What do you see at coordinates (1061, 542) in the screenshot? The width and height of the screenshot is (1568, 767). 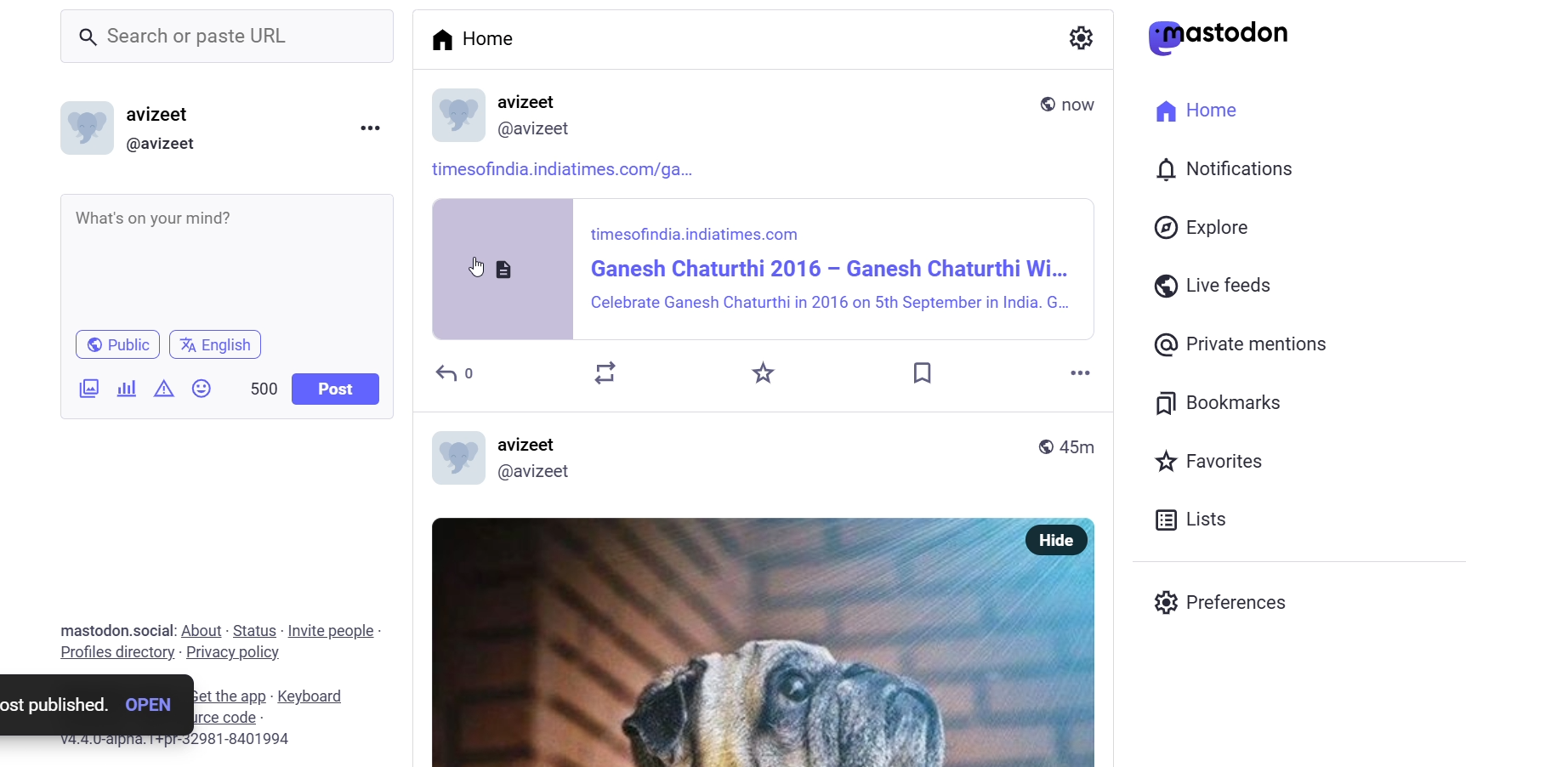 I see `Hide ` at bounding box center [1061, 542].